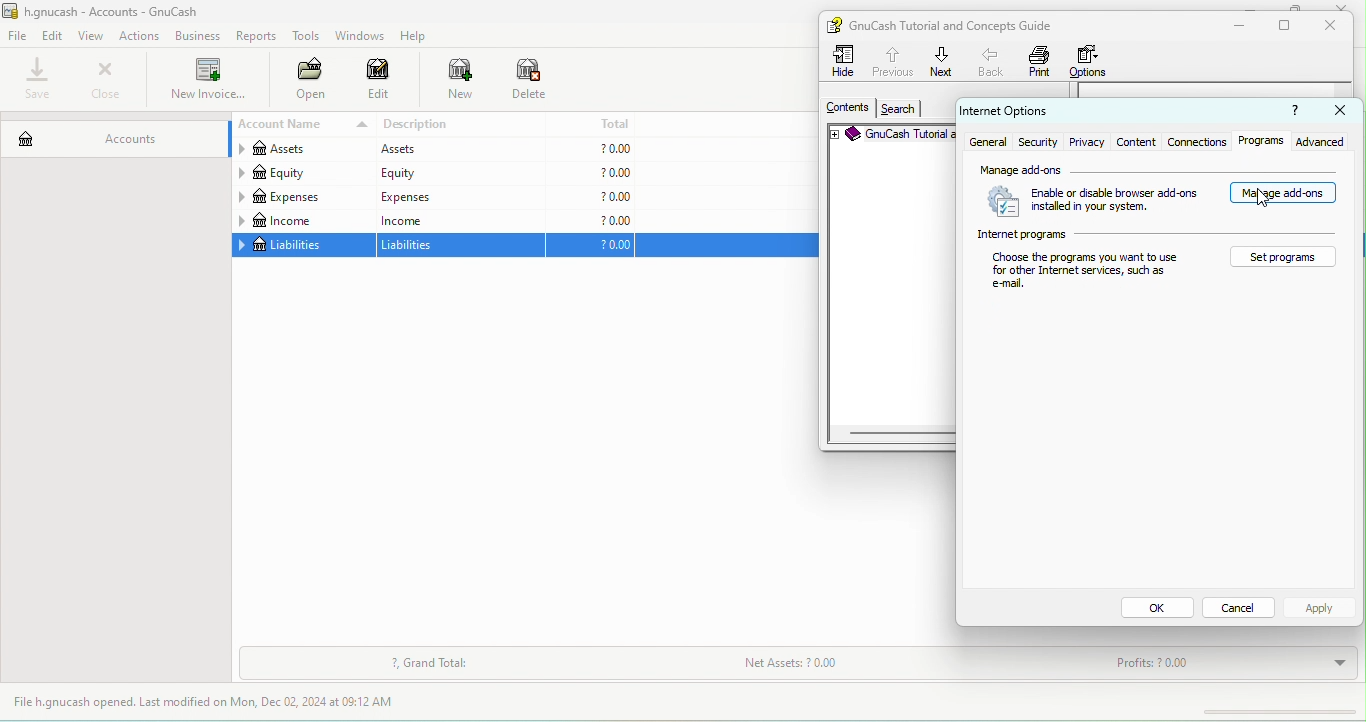 This screenshot has width=1366, height=722. Describe the element at coordinates (458, 173) in the screenshot. I see `equity` at that location.